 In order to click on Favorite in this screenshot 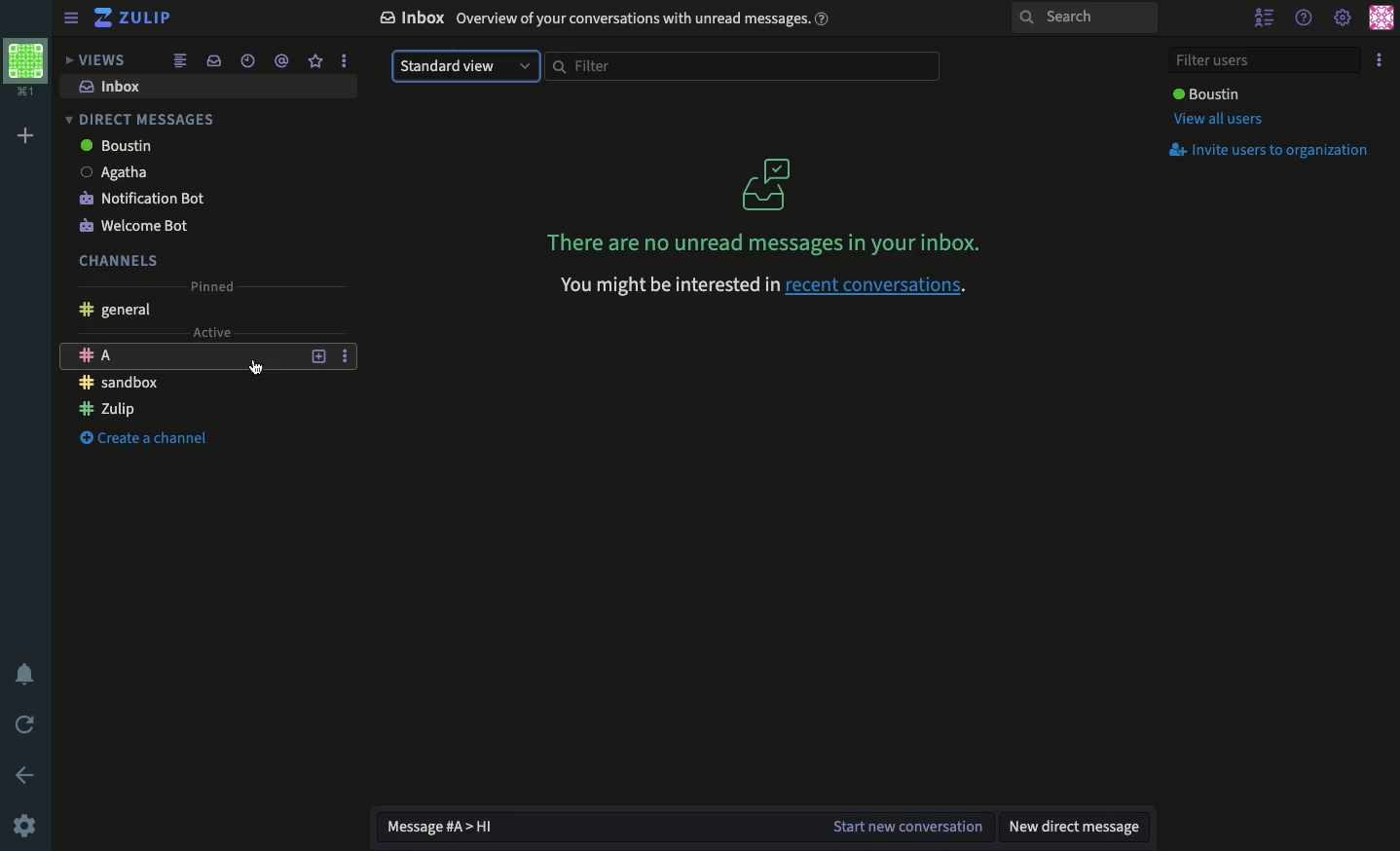, I will do `click(316, 60)`.